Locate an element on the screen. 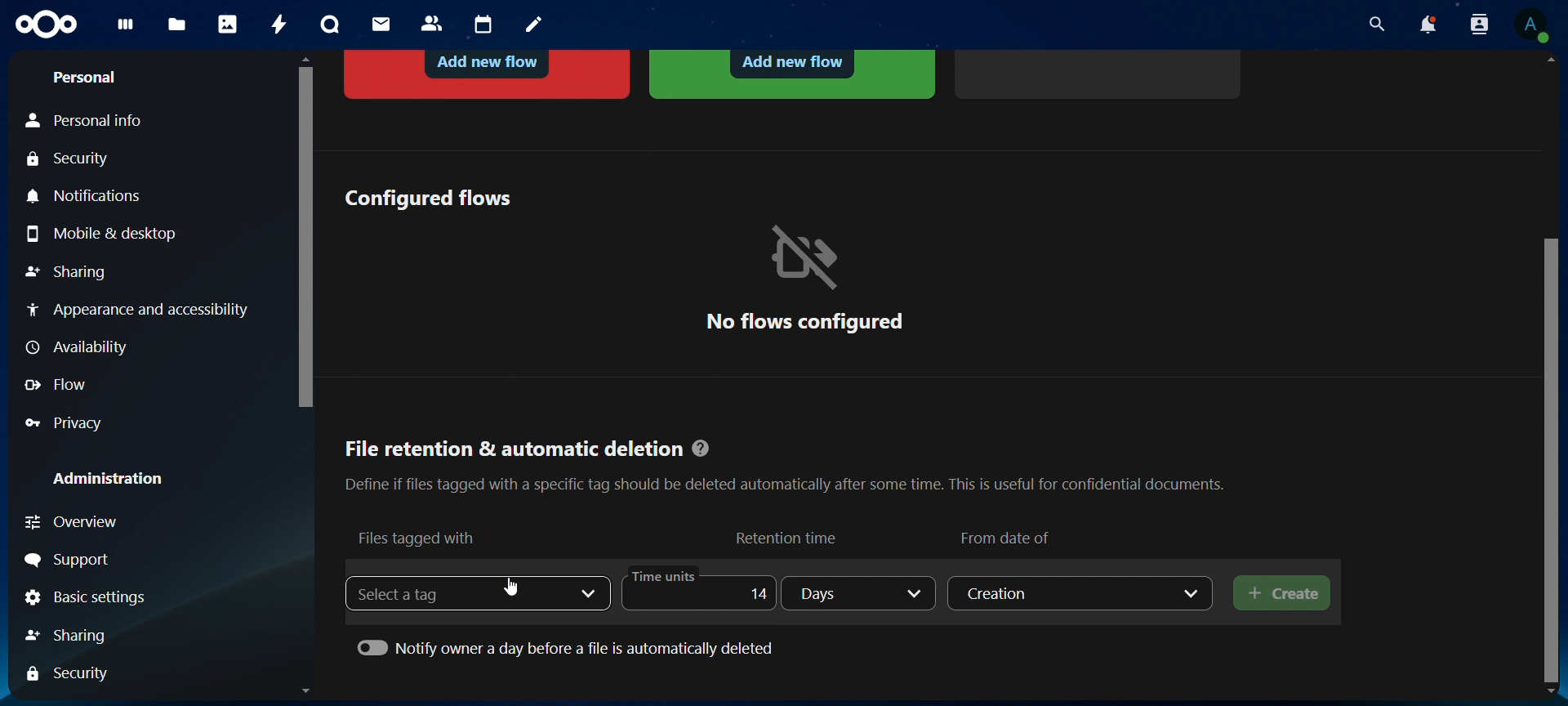 The height and width of the screenshot is (706, 1568). files is located at coordinates (177, 26).